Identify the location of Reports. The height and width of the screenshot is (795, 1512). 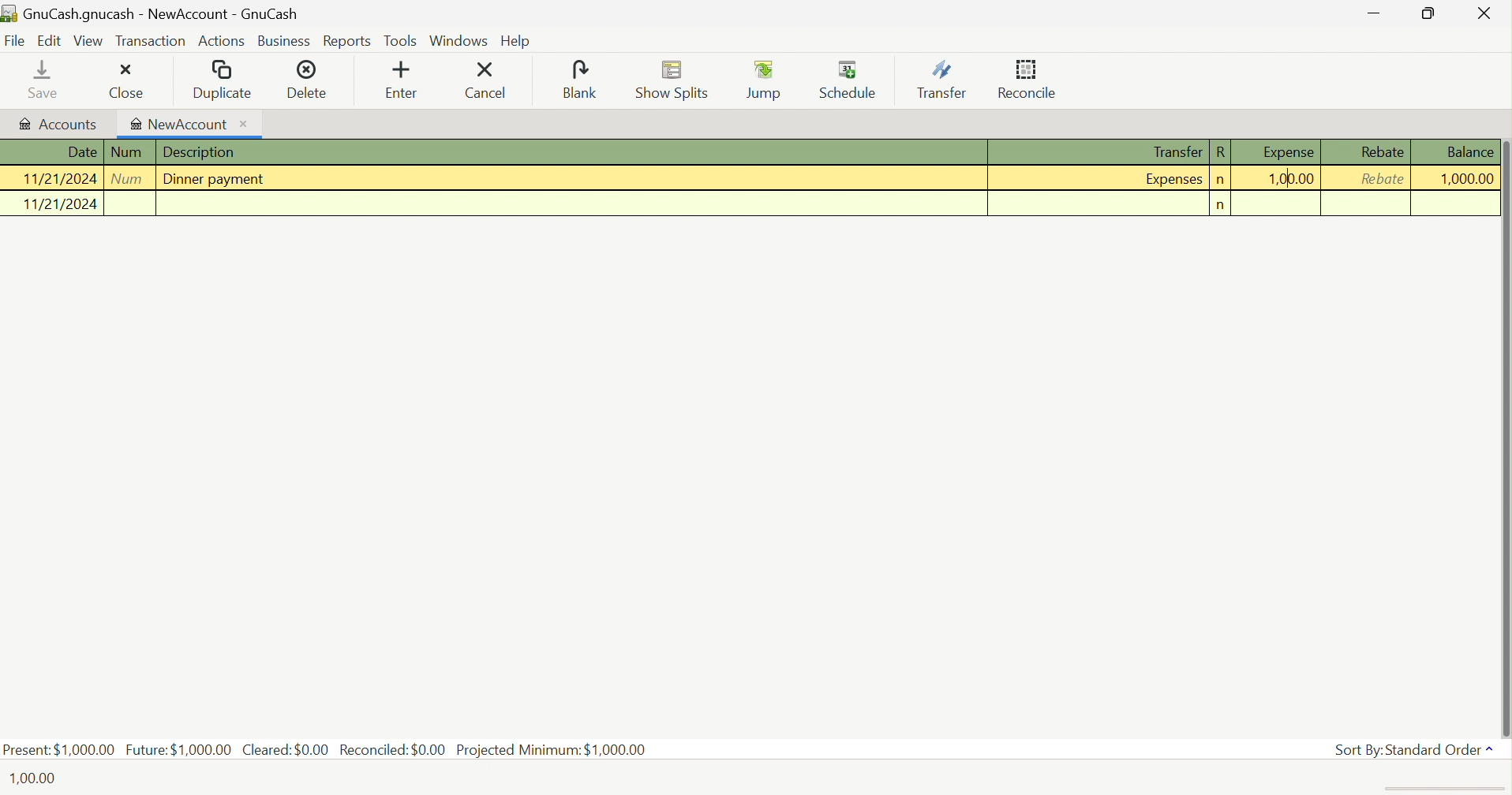
(347, 42).